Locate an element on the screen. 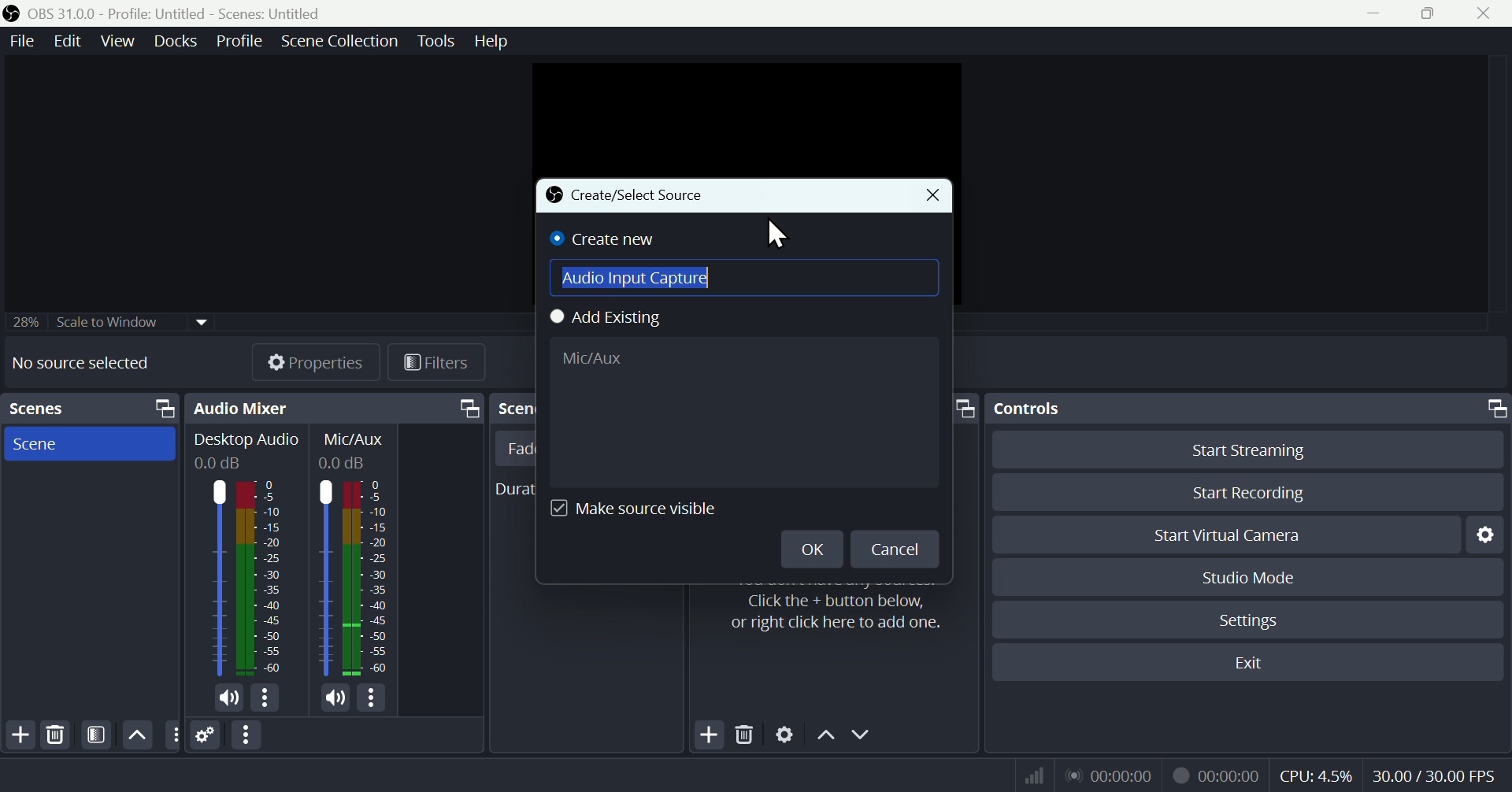 This screenshot has width=1512, height=792. Live Status is located at coordinates (1108, 774).